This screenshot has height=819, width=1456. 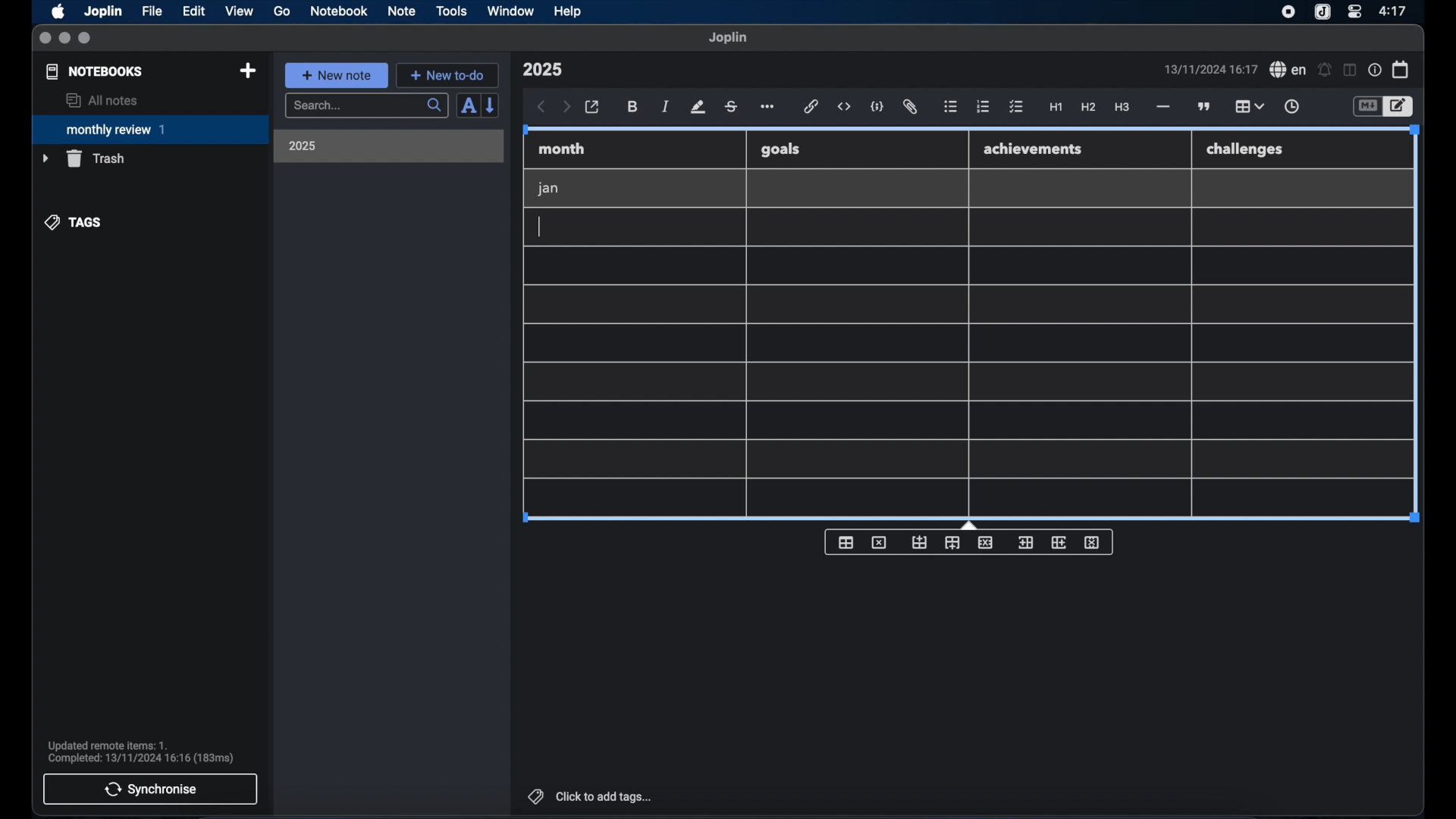 What do you see at coordinates (239, 11) in the screenshot?
I see `view` at bounding box center [239, 11].